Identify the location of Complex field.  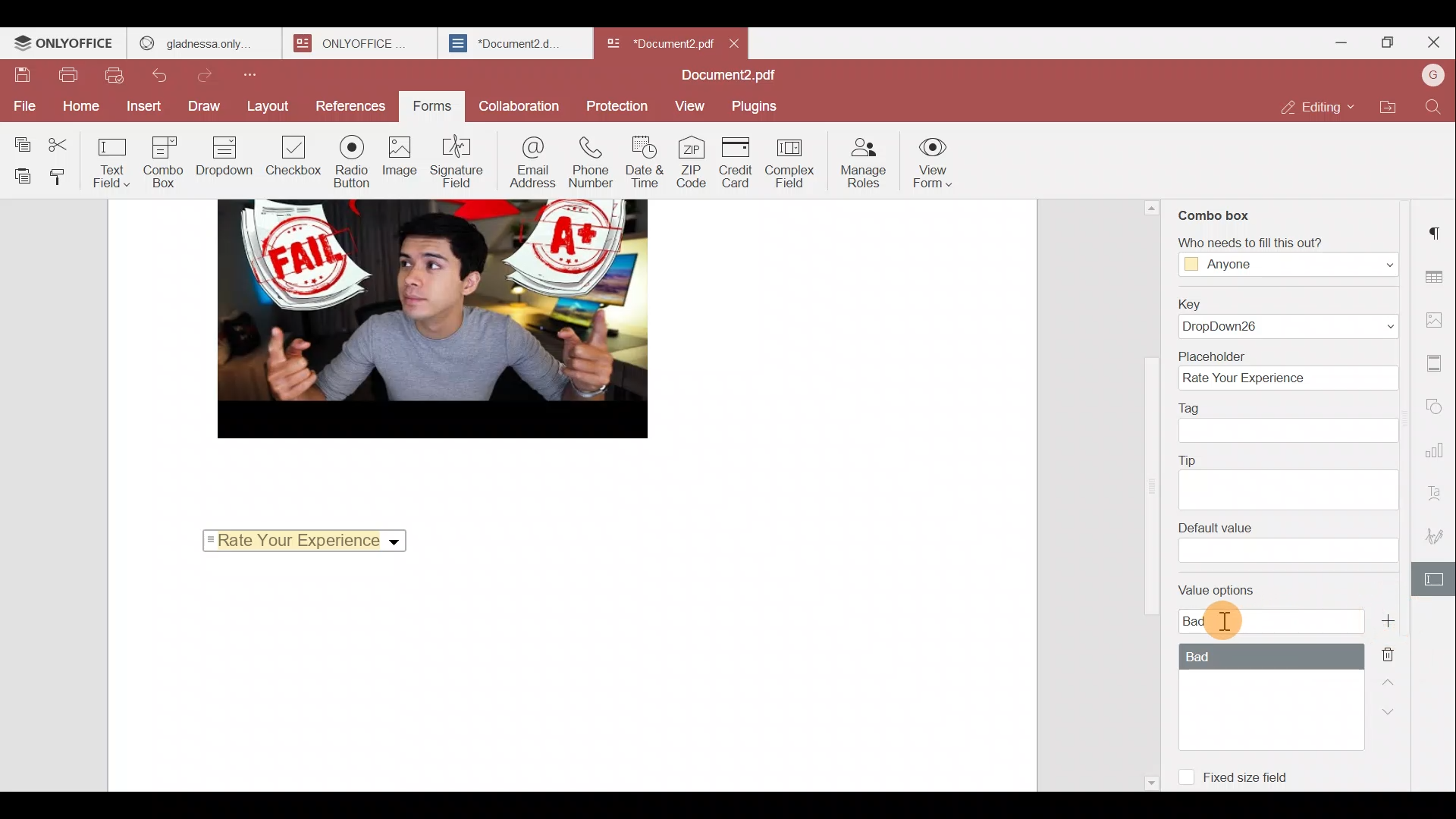
(792, 165).